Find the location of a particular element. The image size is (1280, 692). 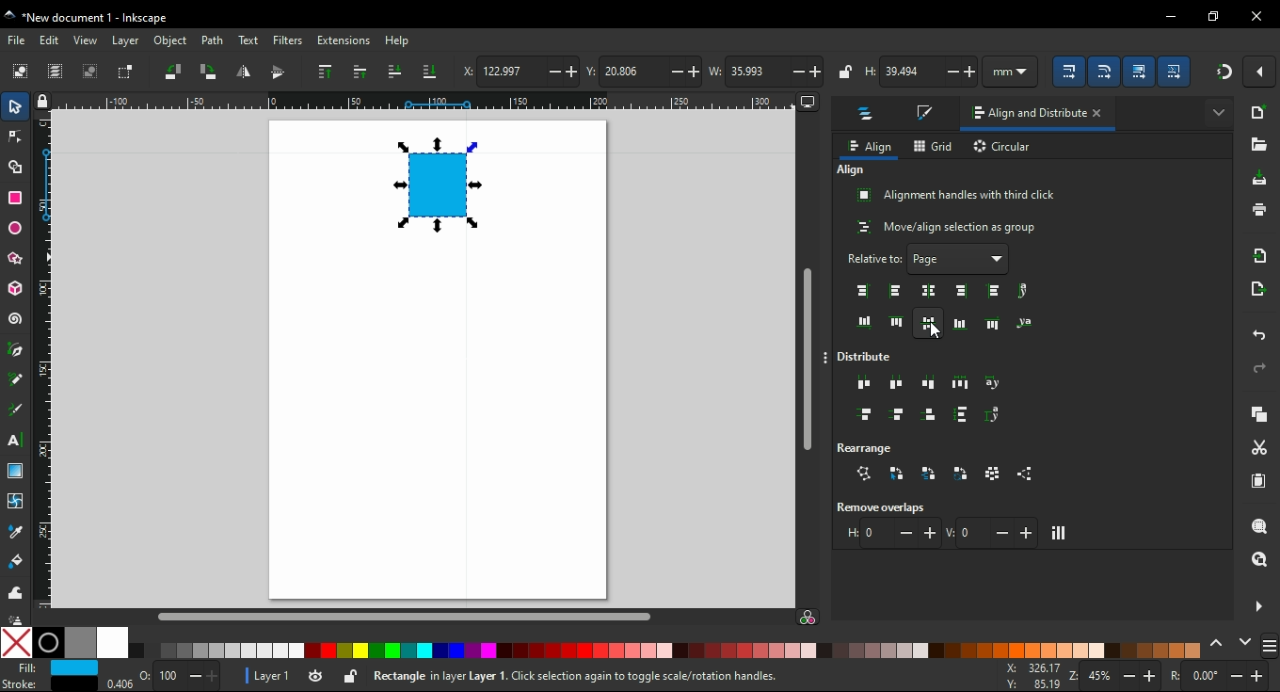

help is located at coordinates (398, 41).